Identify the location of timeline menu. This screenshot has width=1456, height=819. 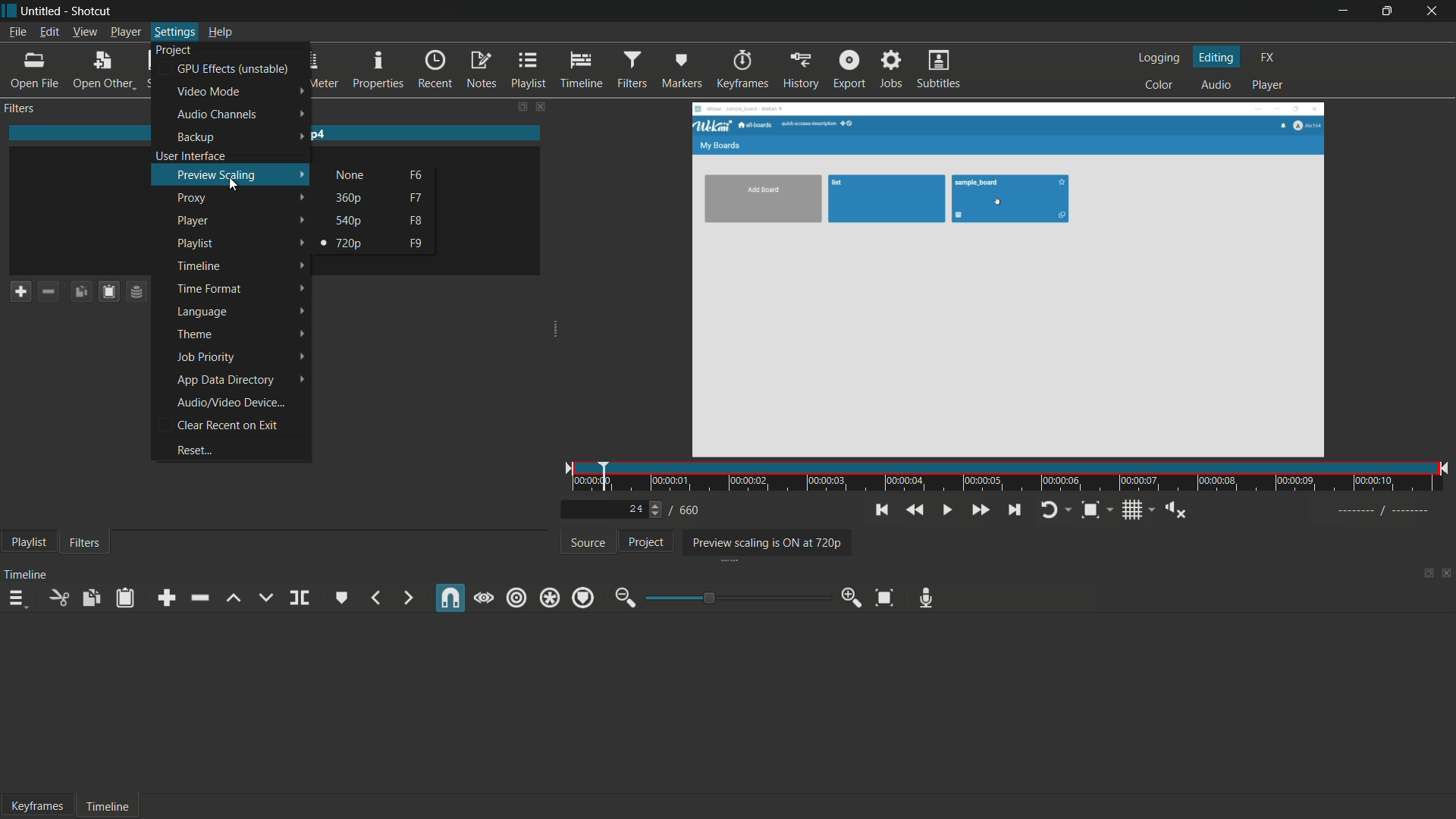
(19, 598).